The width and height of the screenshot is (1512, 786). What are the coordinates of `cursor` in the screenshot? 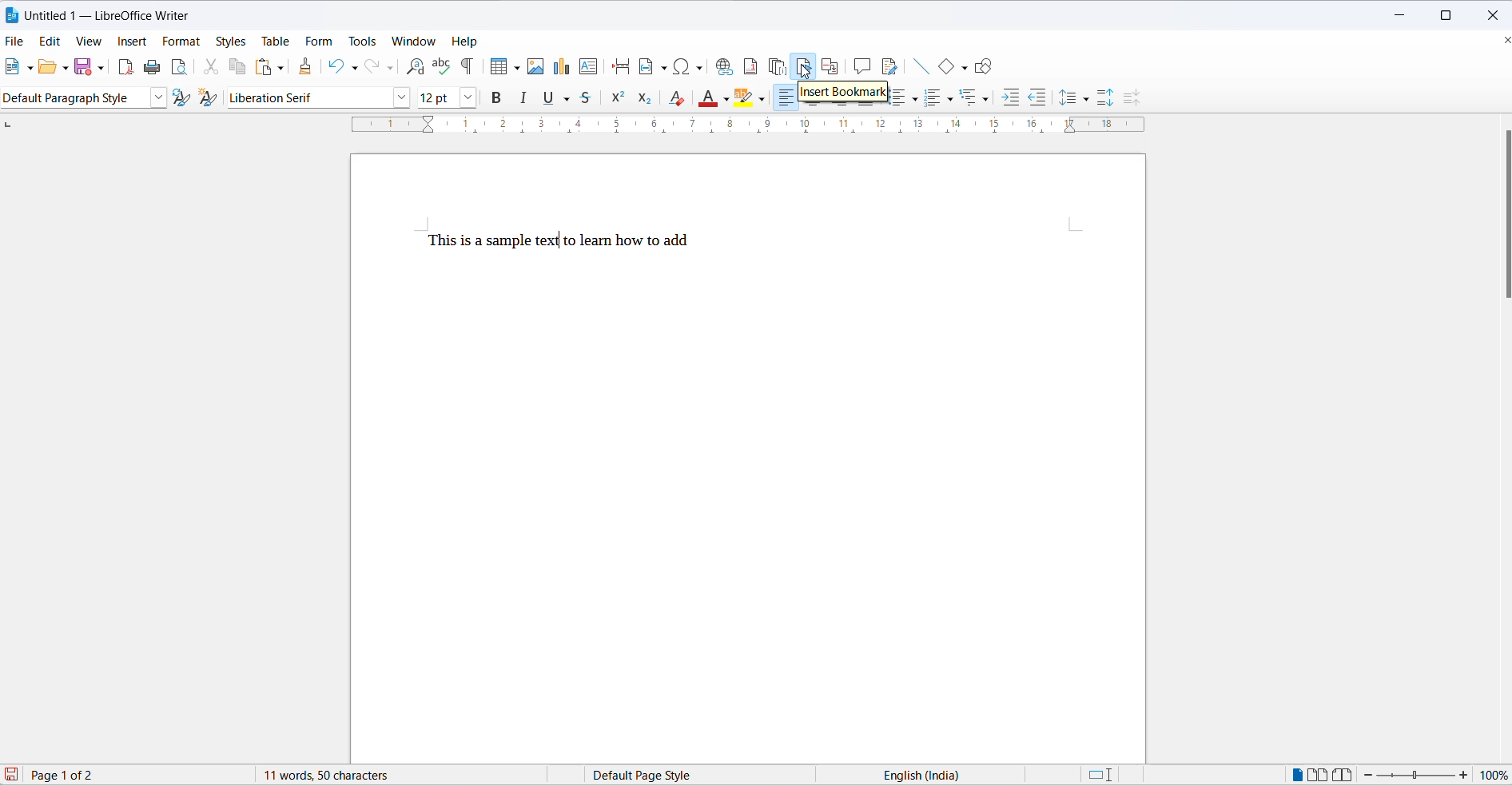 It's located at (806, 64).